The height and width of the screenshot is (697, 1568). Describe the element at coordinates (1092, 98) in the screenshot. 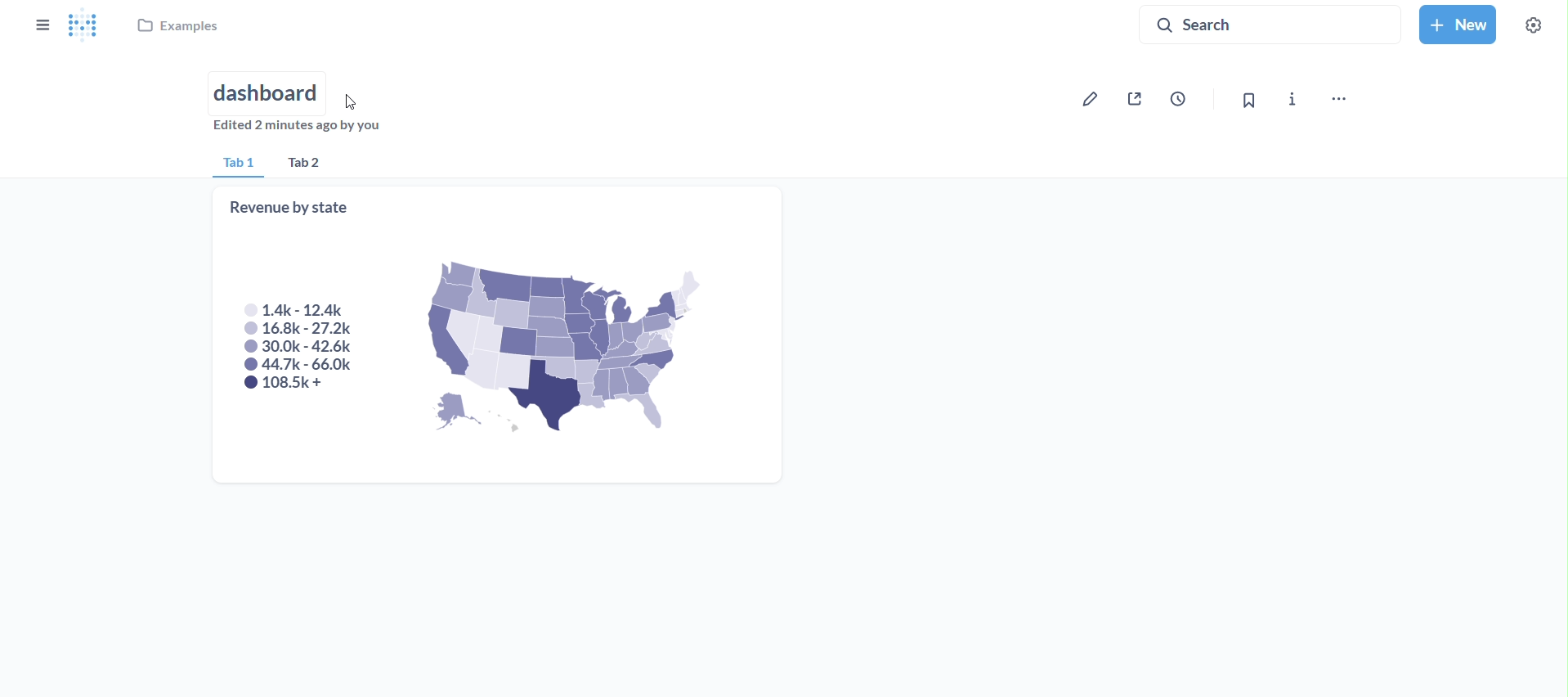

I see `edit dashboard` at that location.